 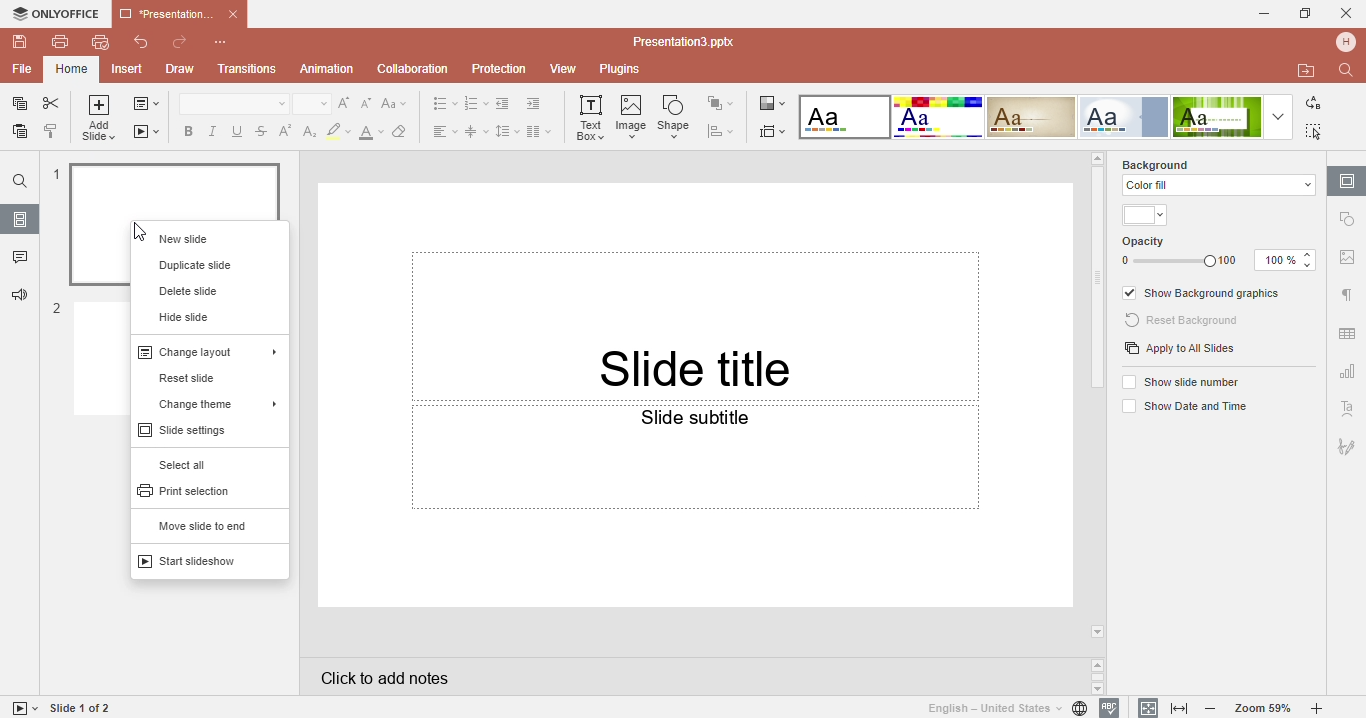 What do you see at coordinates (231, 42) in the screenshot?
I see `Customize quick access toolbar` at bounding box center [231, 42].